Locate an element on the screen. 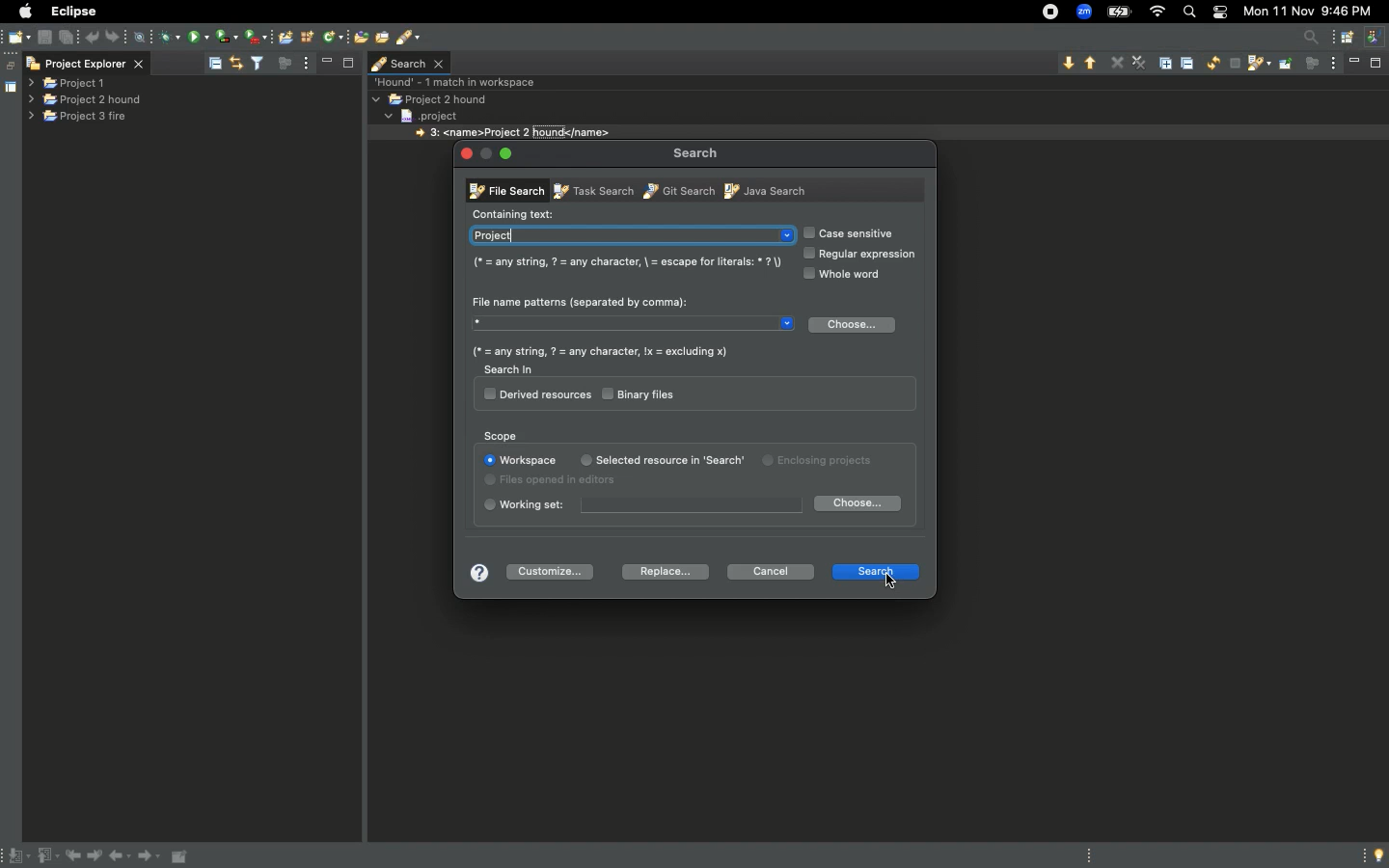 The width and height of the screenshot is (1389, 868). save all is located at coordinates (68, 36).